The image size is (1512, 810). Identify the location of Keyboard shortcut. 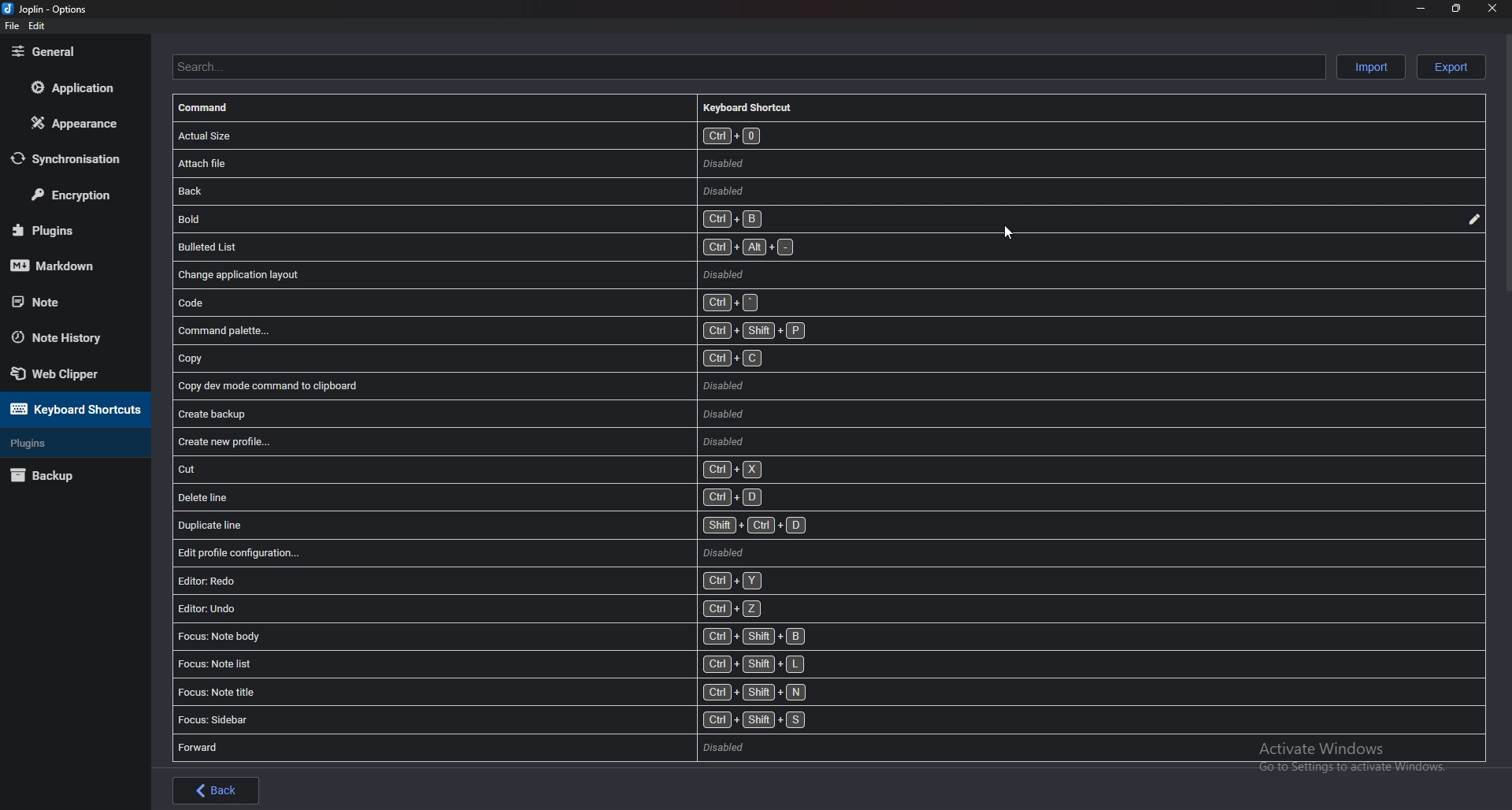
(756, 106).